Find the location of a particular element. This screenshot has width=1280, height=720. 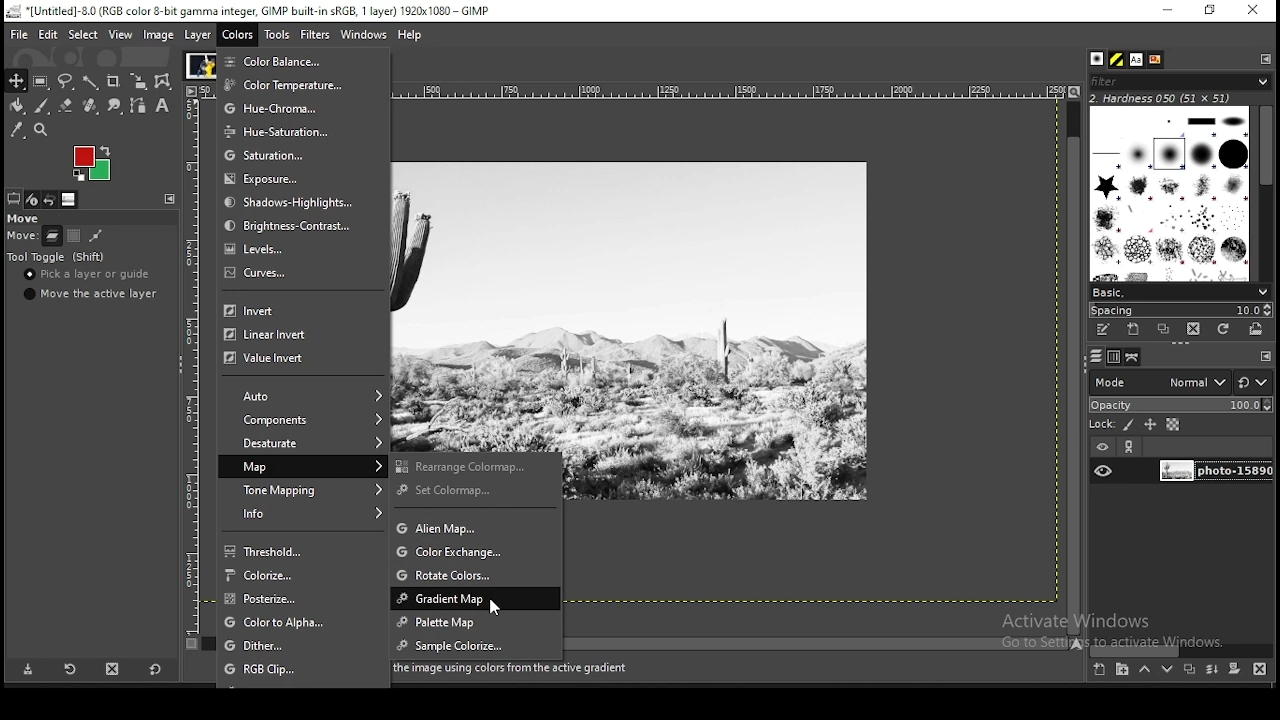

scale is located at coordinates (189, 359).